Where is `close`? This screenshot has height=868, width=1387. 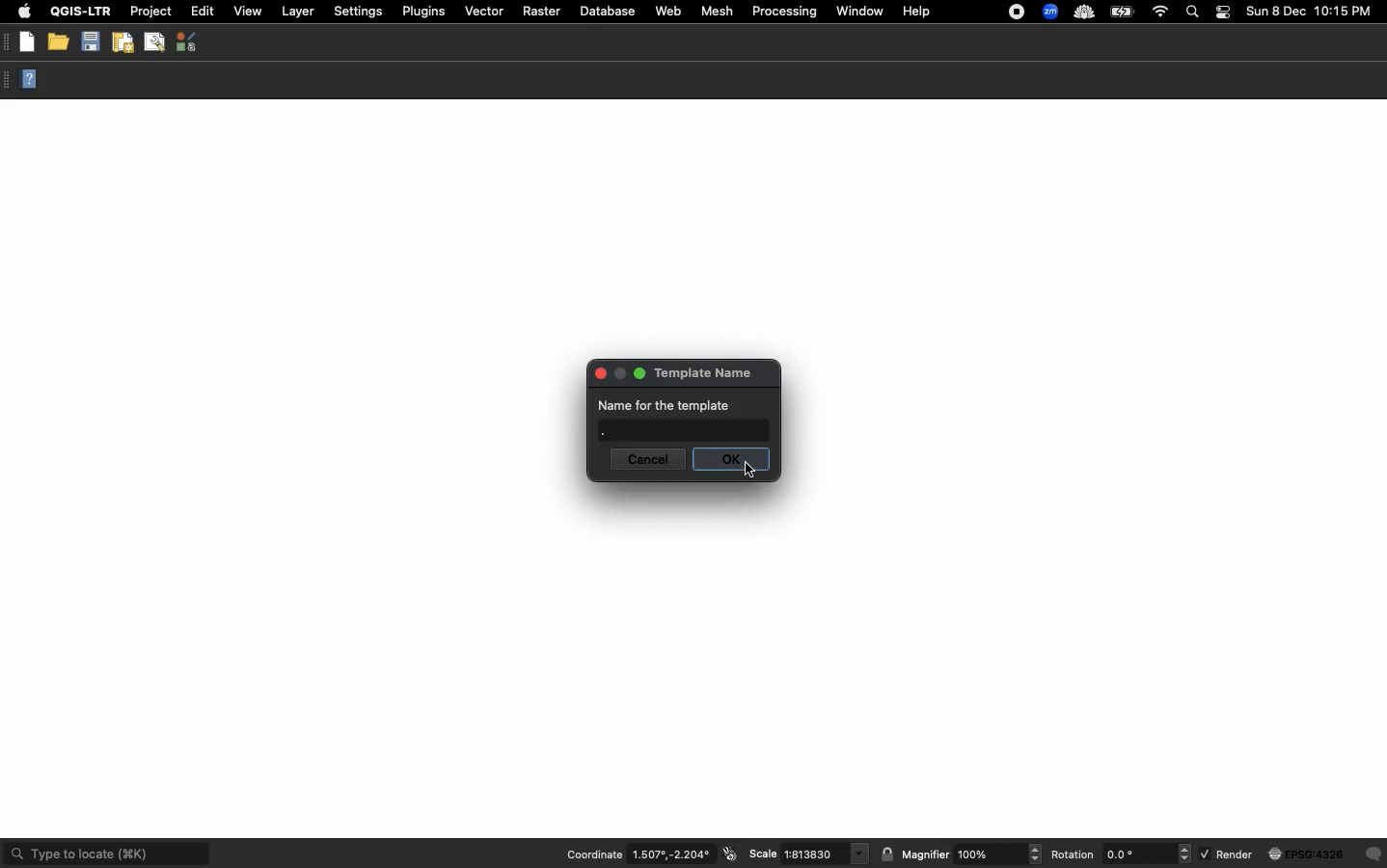 close is located at coordinates (602, 374).